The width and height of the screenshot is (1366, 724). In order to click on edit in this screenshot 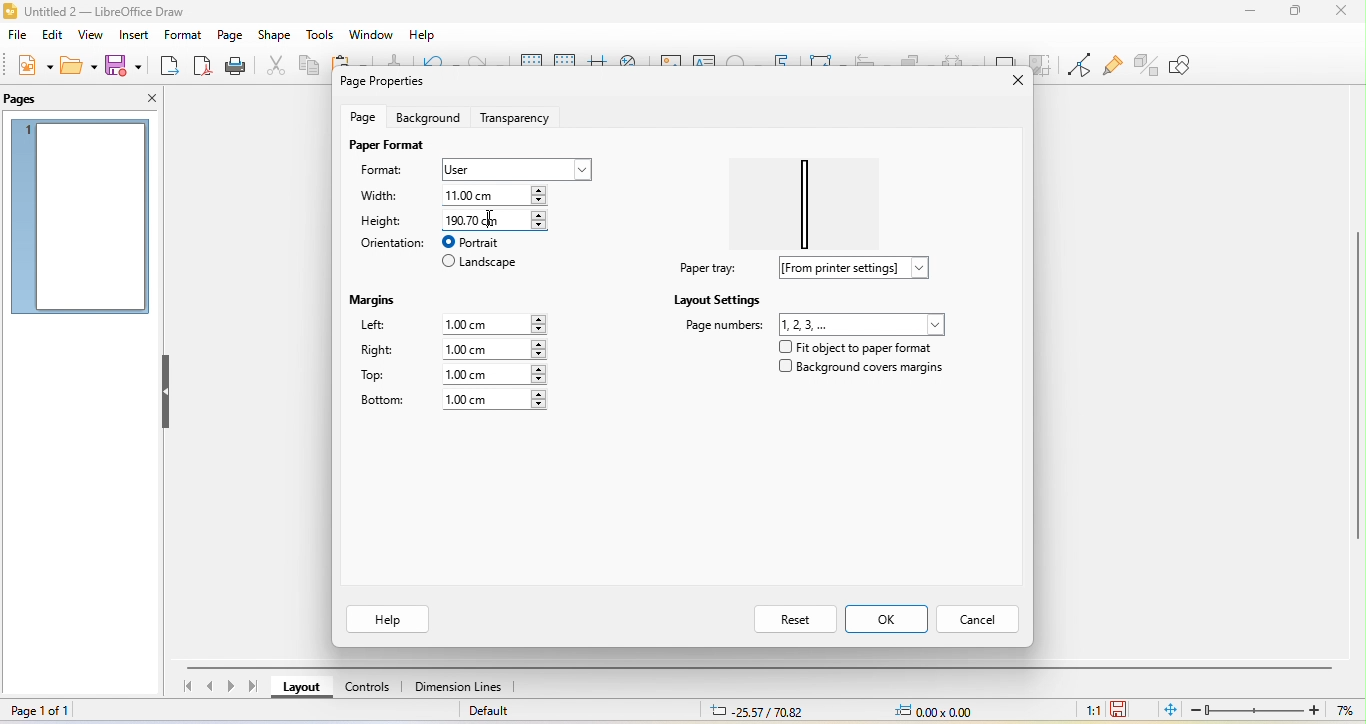, I will do `click(55, 35)`.